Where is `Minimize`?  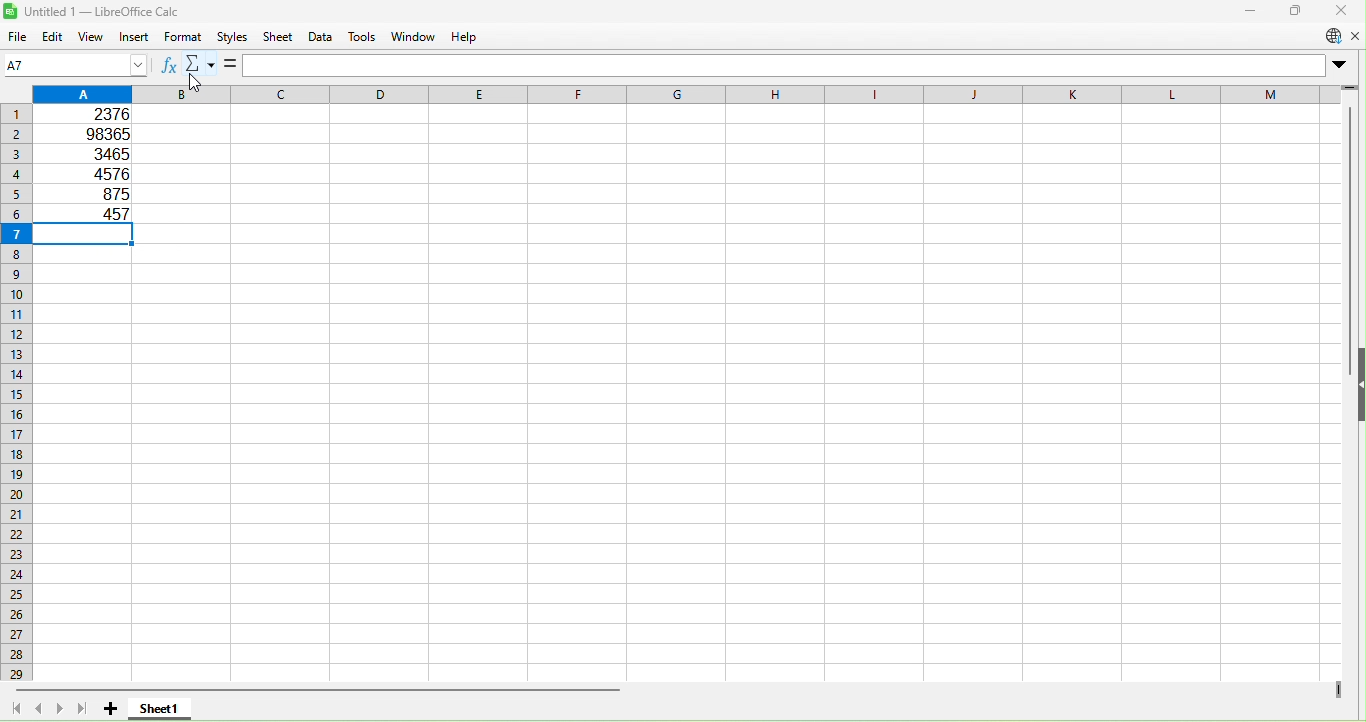 Minimize is located at coordinates (1247, 12).